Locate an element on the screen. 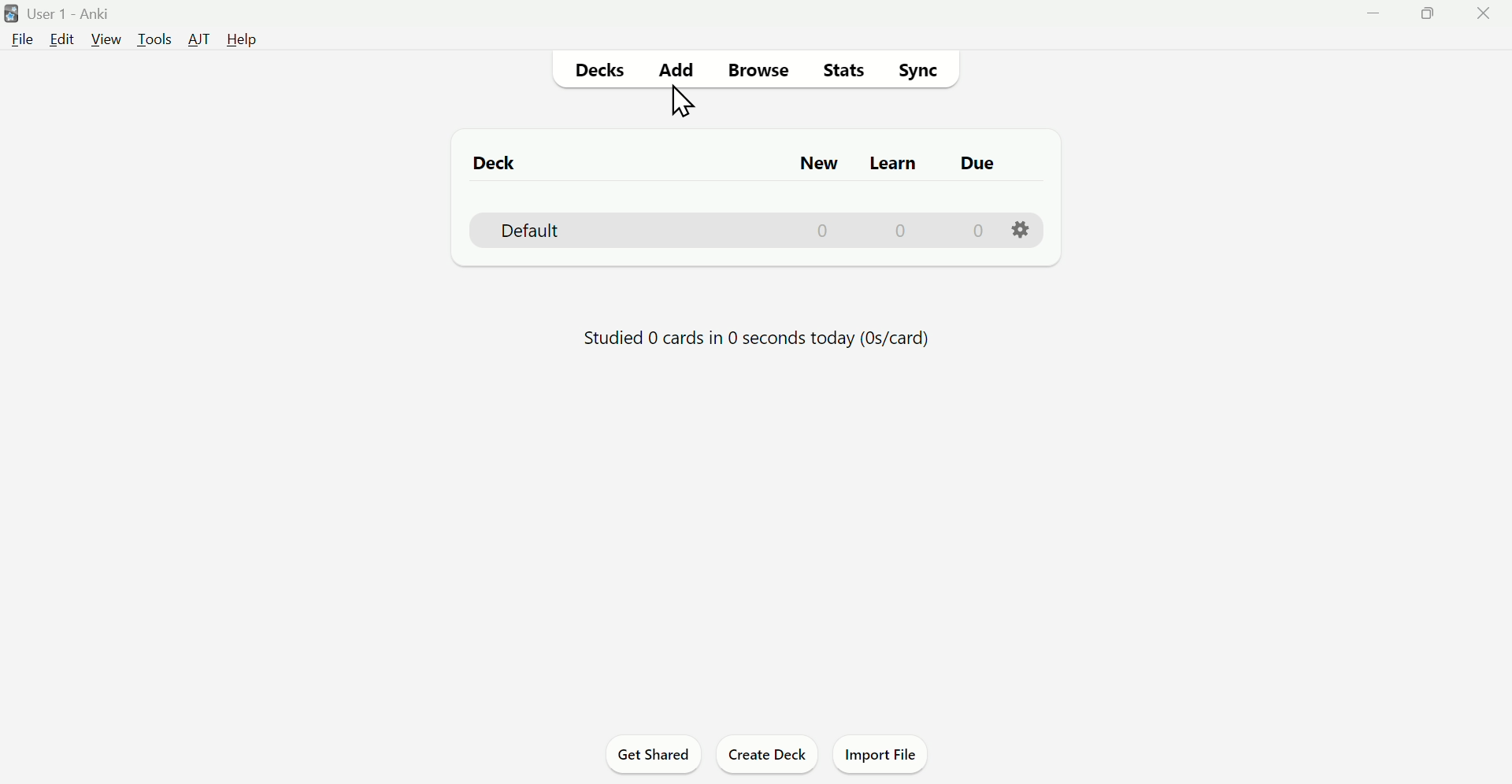 The image size is (1512, 784). Edit is located at coordinates (60, 41).